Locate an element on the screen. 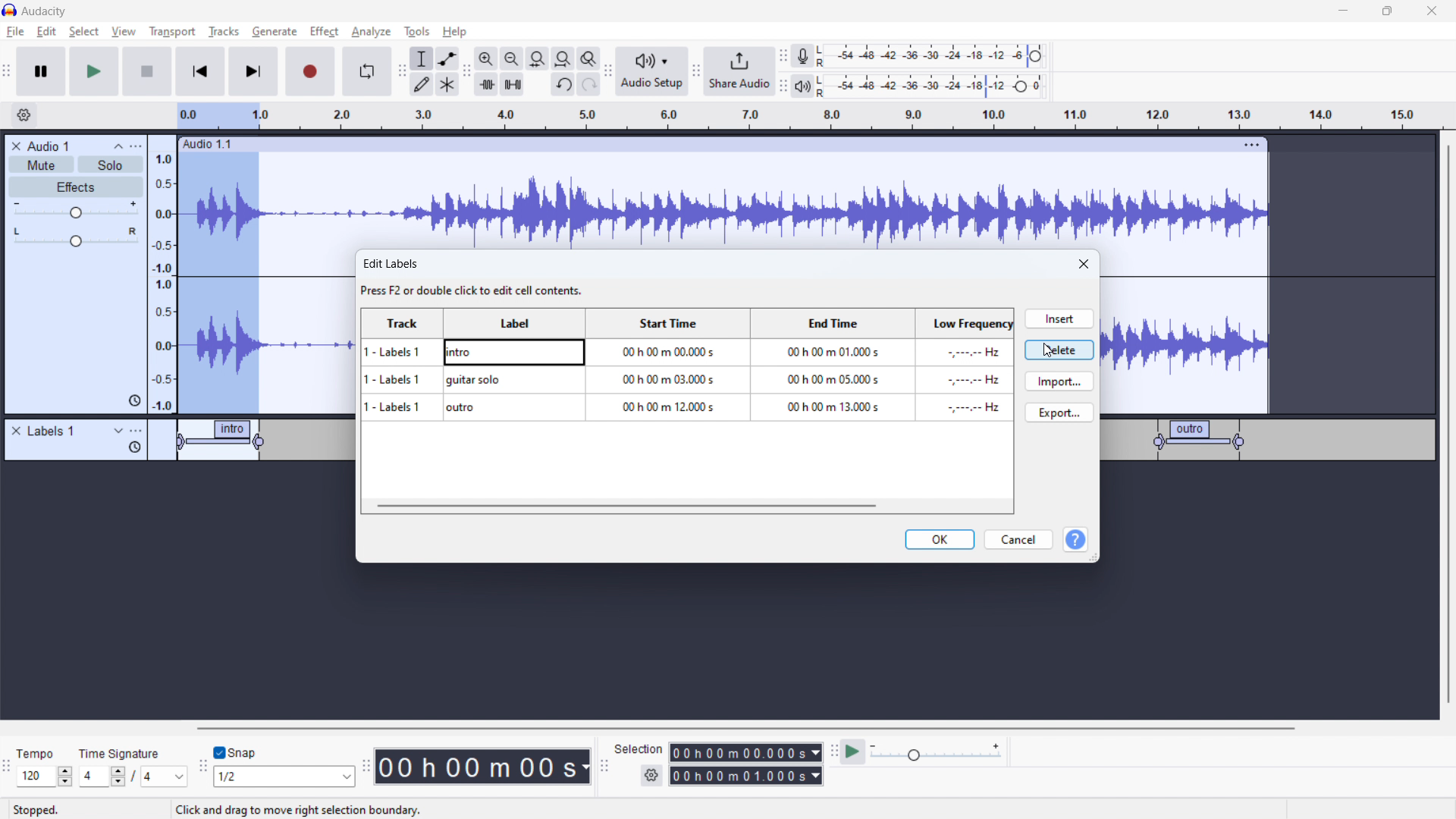 The image size is (1456, 819). view is located at coordinates (124, 31).